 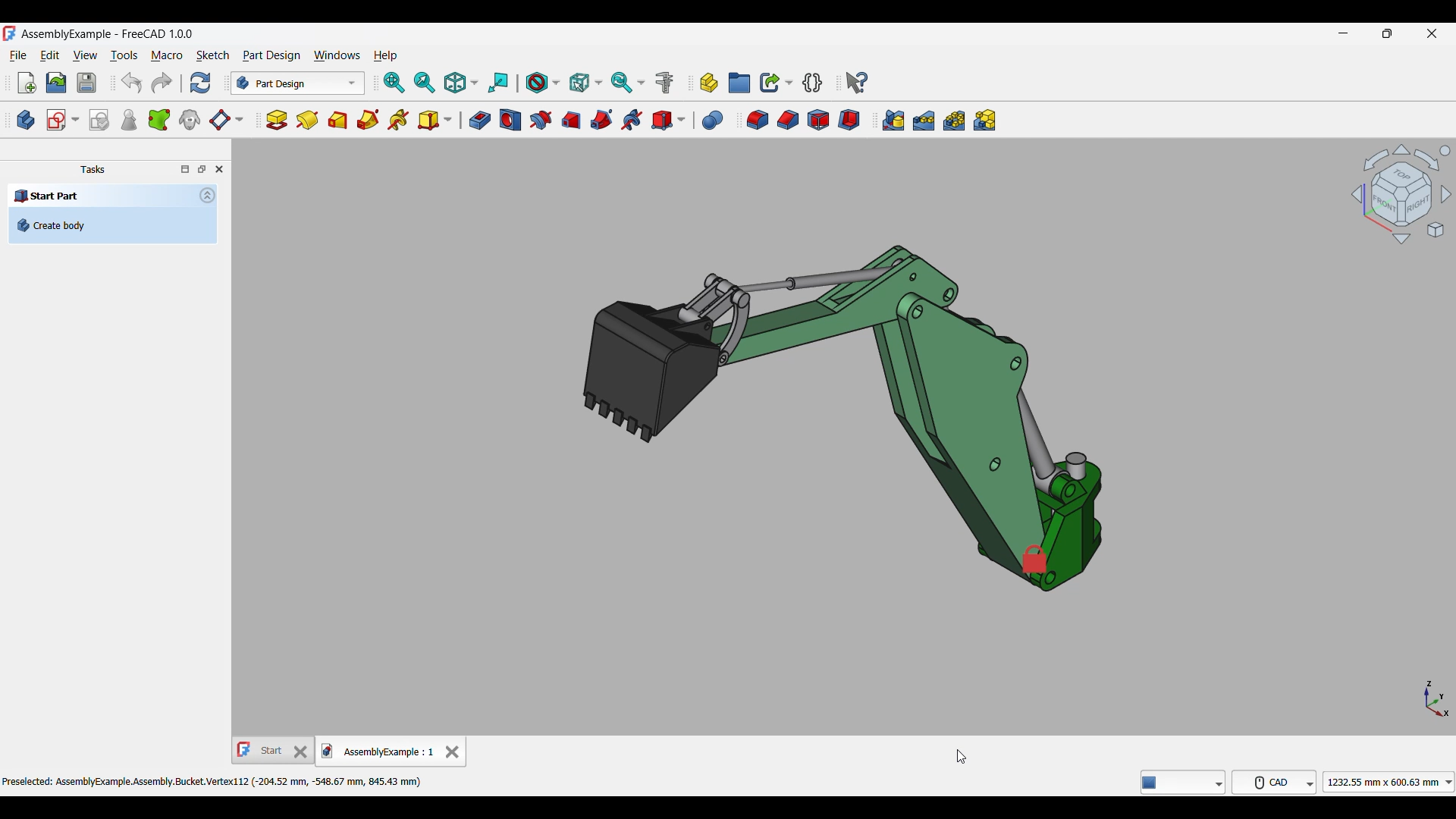 What do you see at coordinates (93, 170) in the screenshot?
I see `Tasks` at bounding box center [93, 170].